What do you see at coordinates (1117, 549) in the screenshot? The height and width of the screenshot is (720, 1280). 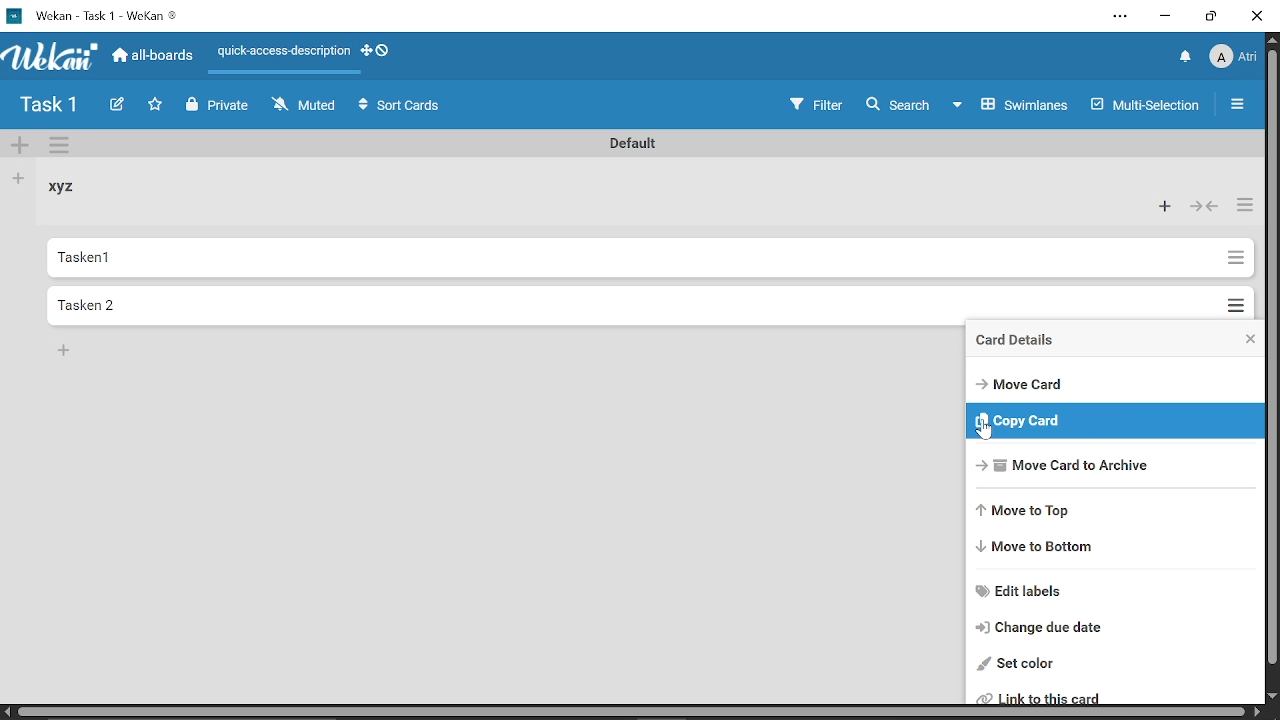 I see `MOve to bottom` at bounding box center [1117, 549].